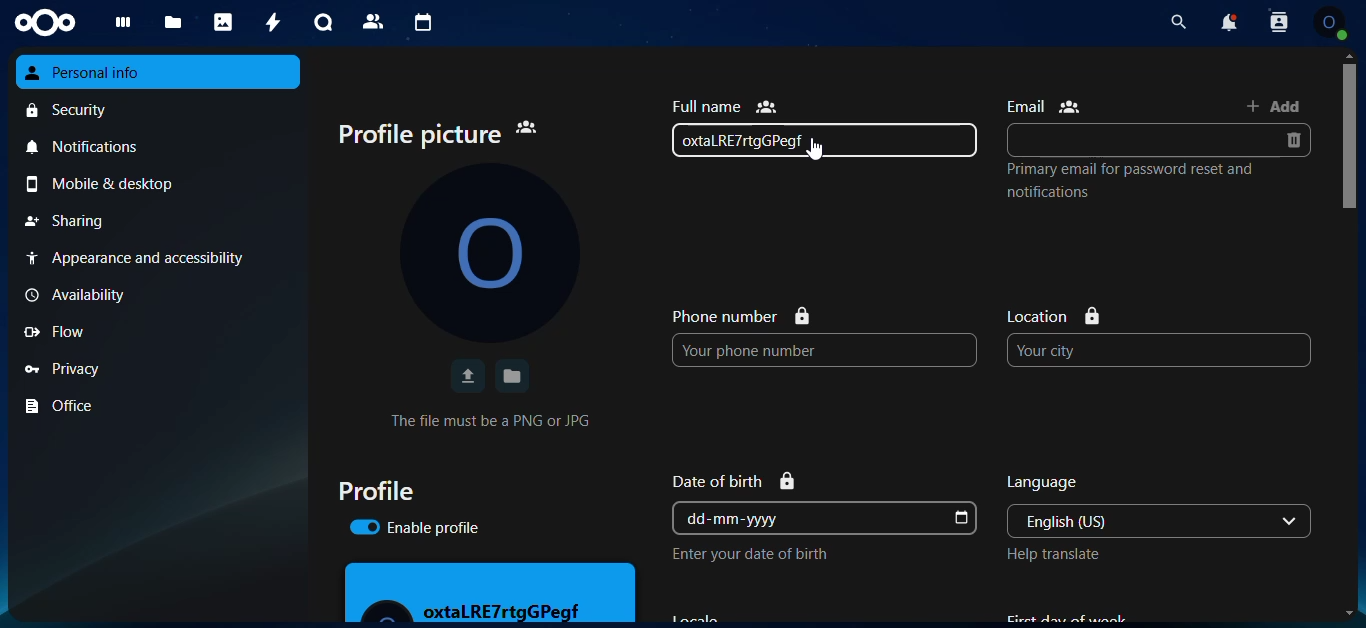 This screenshot has width=1366, height=628. What do you see at coordinates (490, 420) in the screenshot?
I see `The file must be a PNG or JPG` at bounding box center [490, 420].